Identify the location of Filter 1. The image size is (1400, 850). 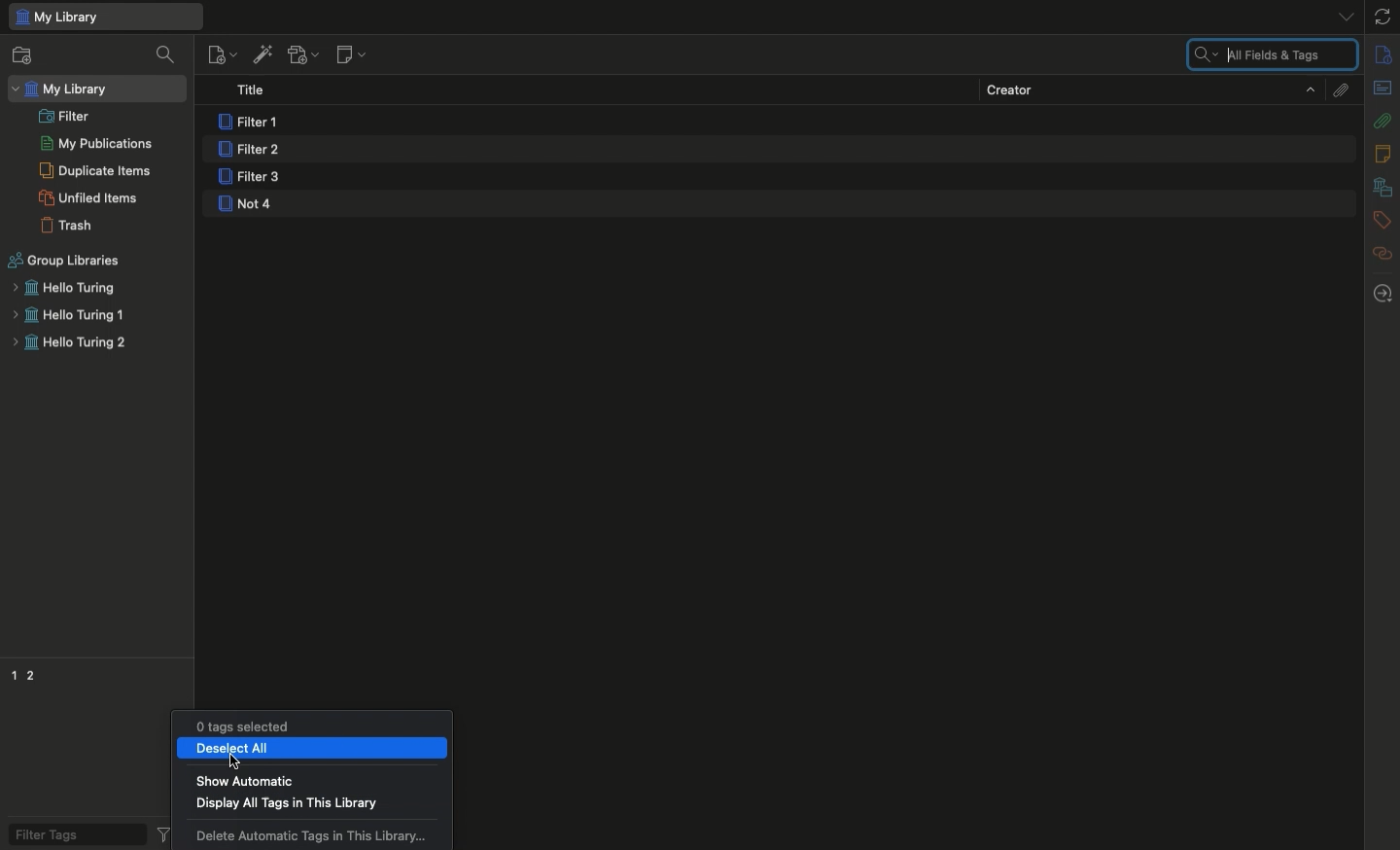
(252, 123).